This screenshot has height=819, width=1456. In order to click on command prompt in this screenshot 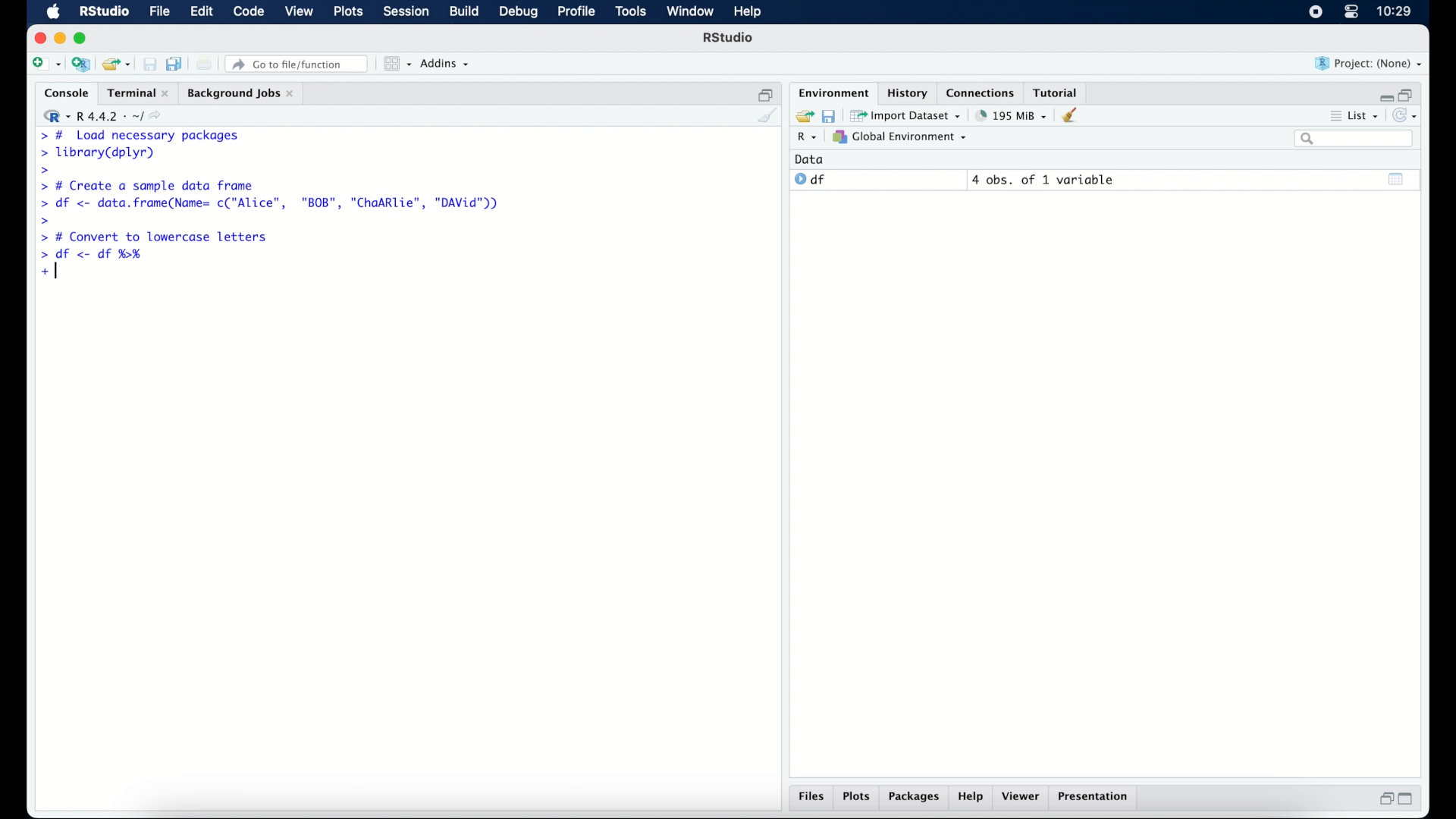, I will do `click(42, 171)`.